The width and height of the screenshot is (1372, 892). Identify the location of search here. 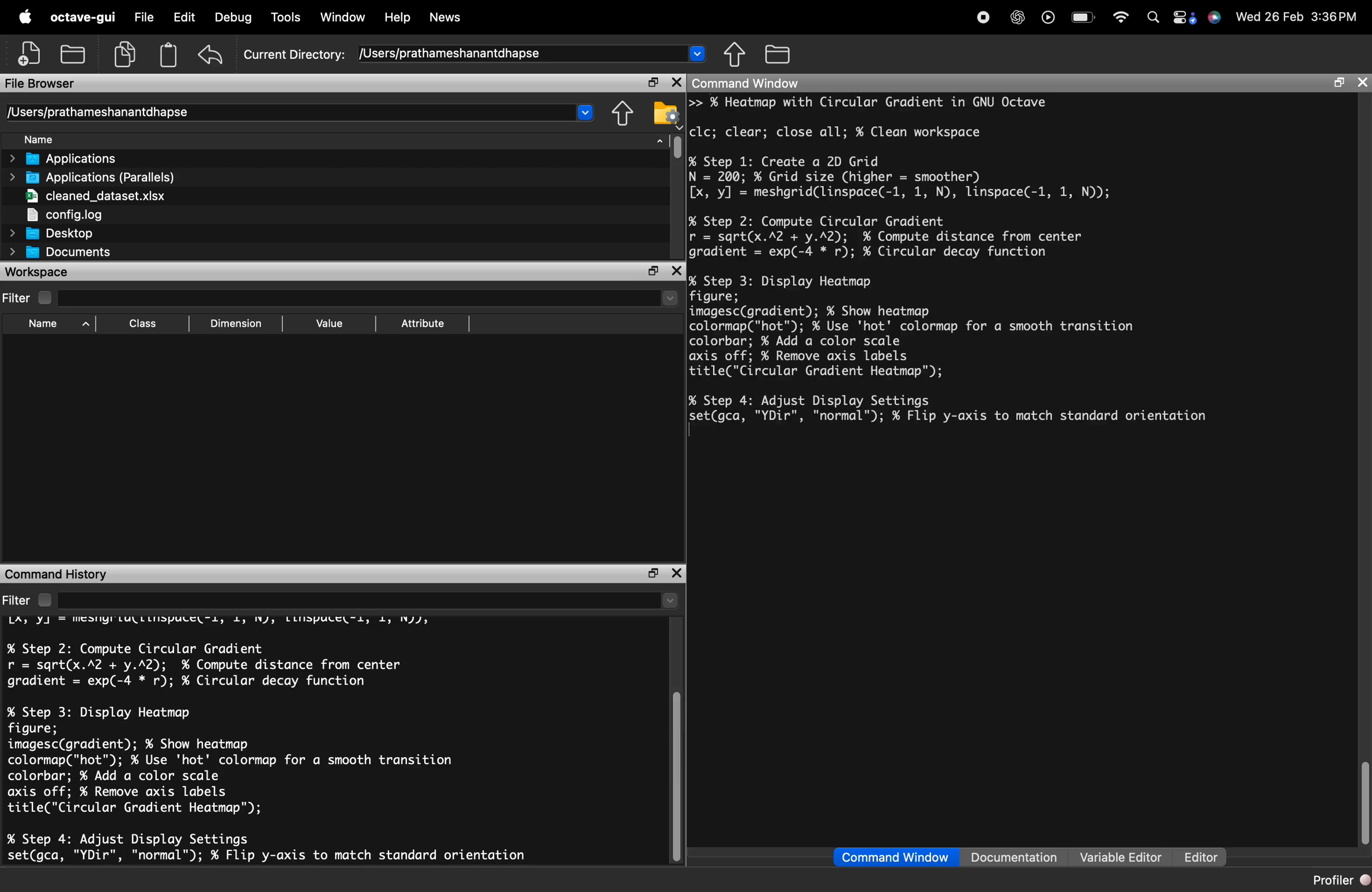
(370, 599).